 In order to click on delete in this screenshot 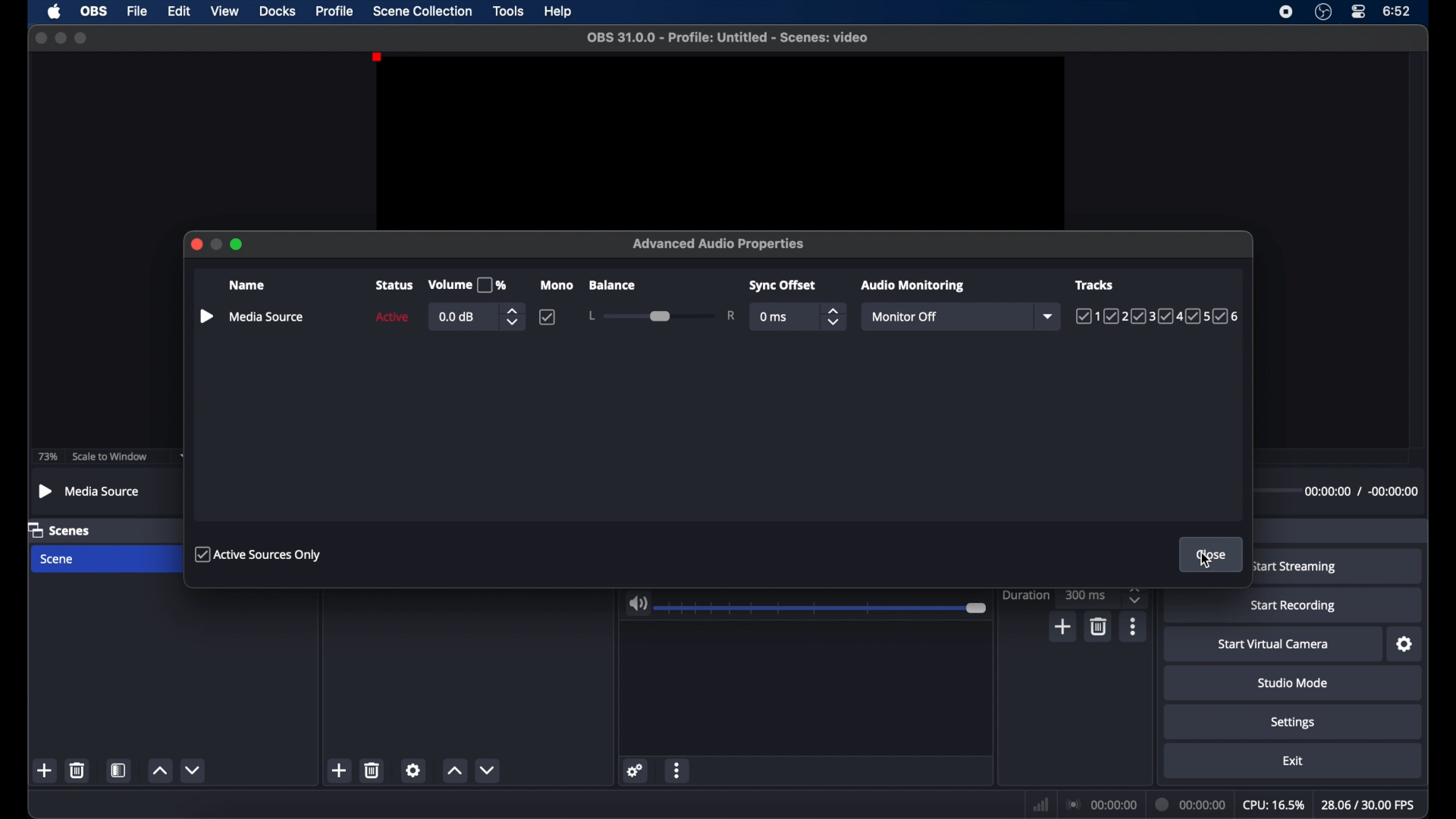, I will do `click(1097, 627)`.